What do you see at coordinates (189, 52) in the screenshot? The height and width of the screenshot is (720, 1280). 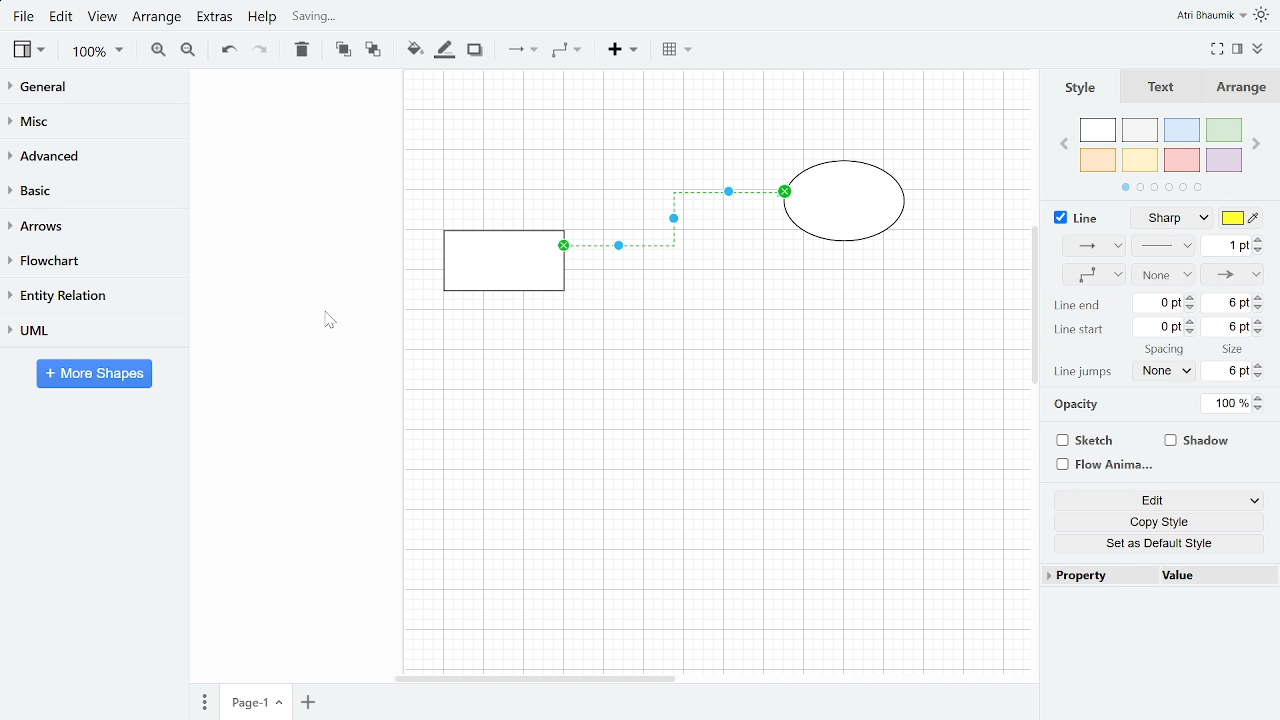 I see `Zoom out` at bounding box center [189, 52].